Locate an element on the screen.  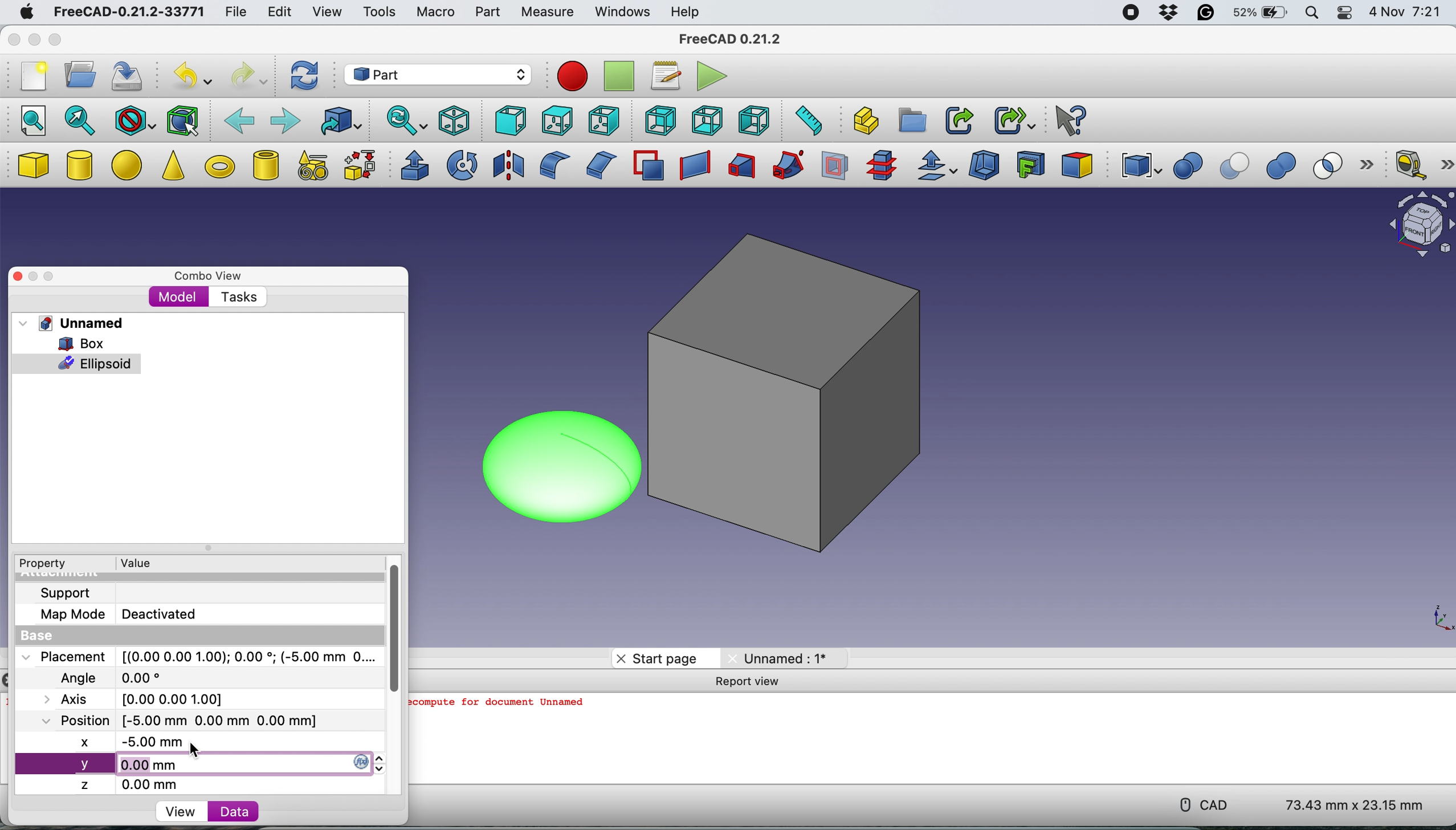
more options is located at coordinates (1371, 166).